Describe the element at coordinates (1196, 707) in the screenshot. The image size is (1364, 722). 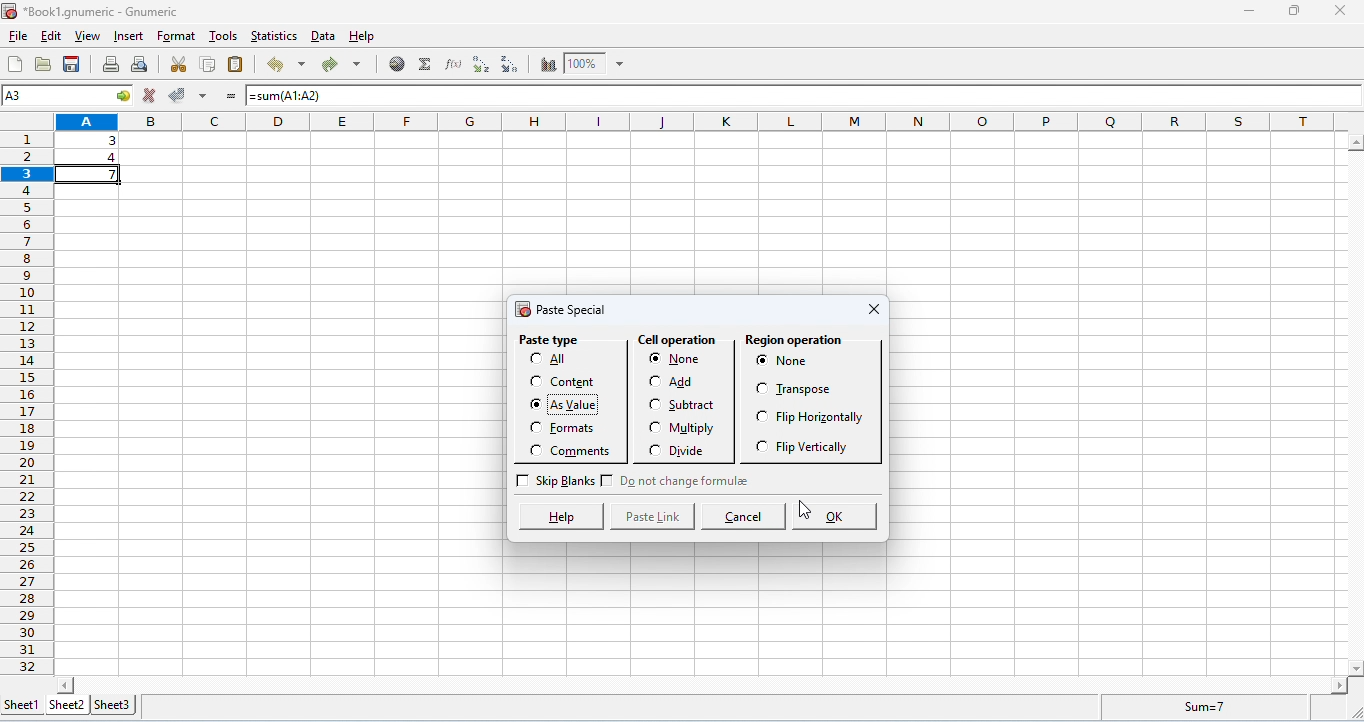
I see `formula` at that location.